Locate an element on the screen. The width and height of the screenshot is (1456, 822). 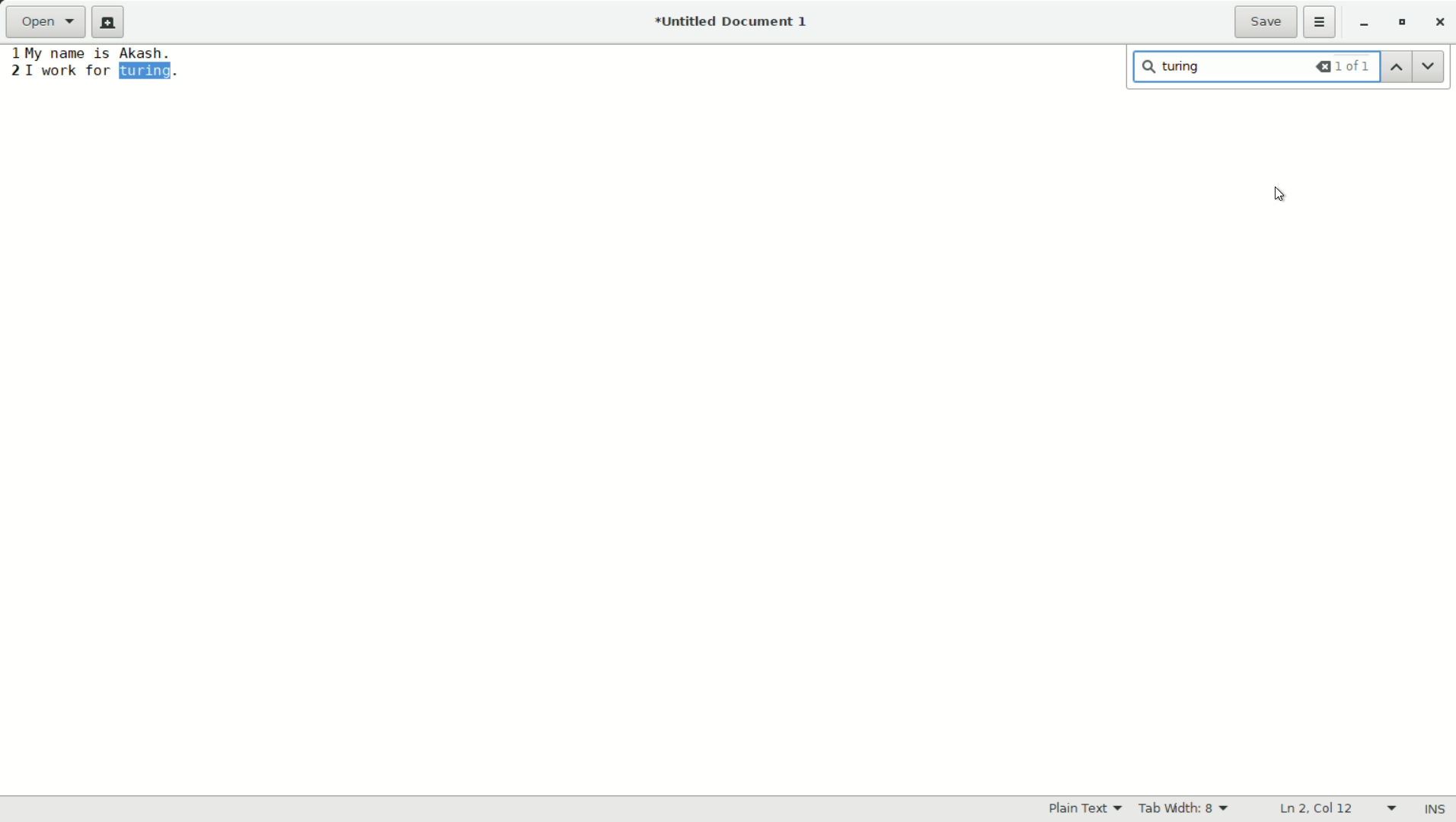
previous is located at coordinates (1397, 66).